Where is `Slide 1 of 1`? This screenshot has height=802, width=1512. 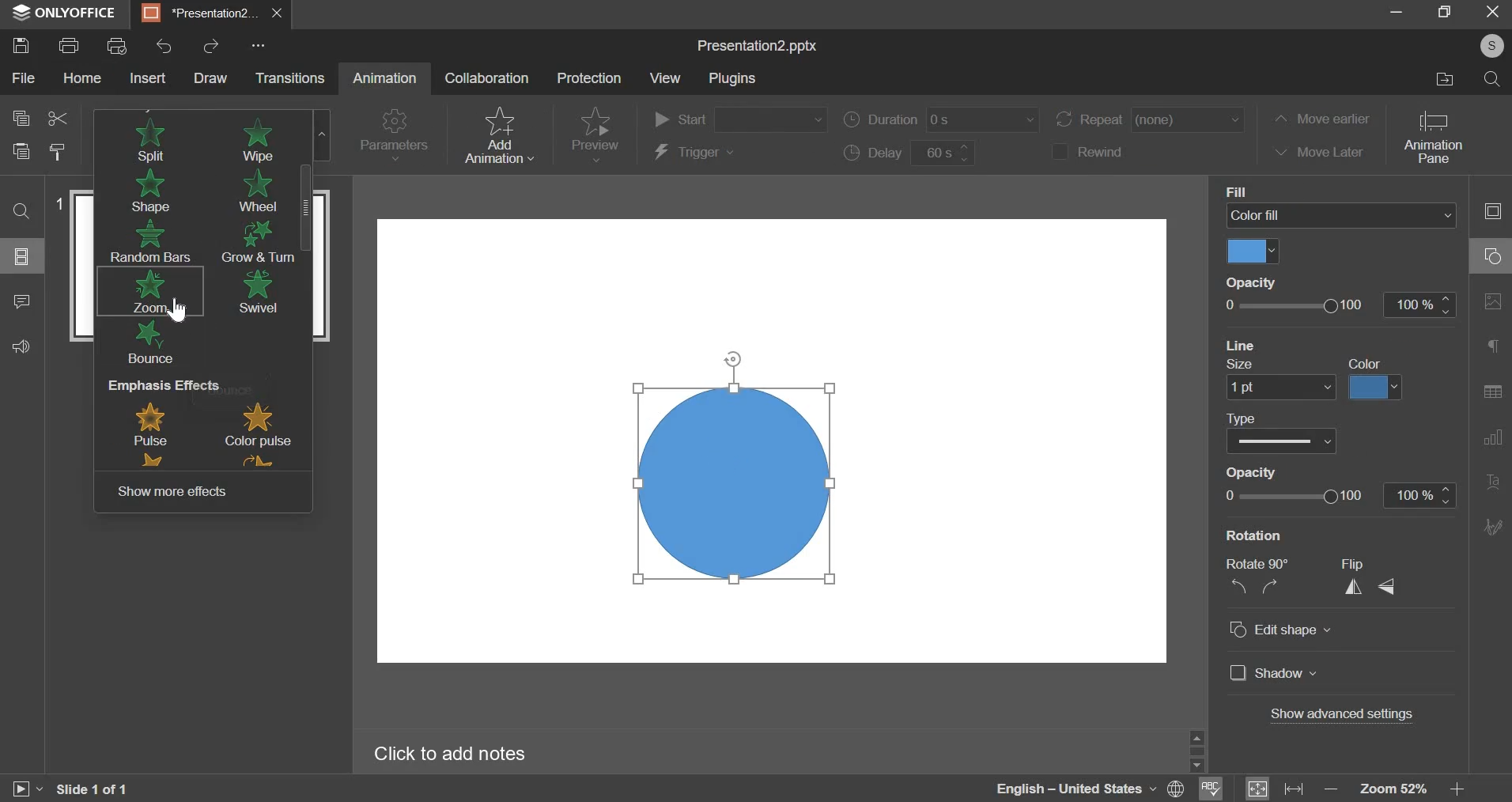
Slide 1 of 1 is located at coordinates (100, 786).